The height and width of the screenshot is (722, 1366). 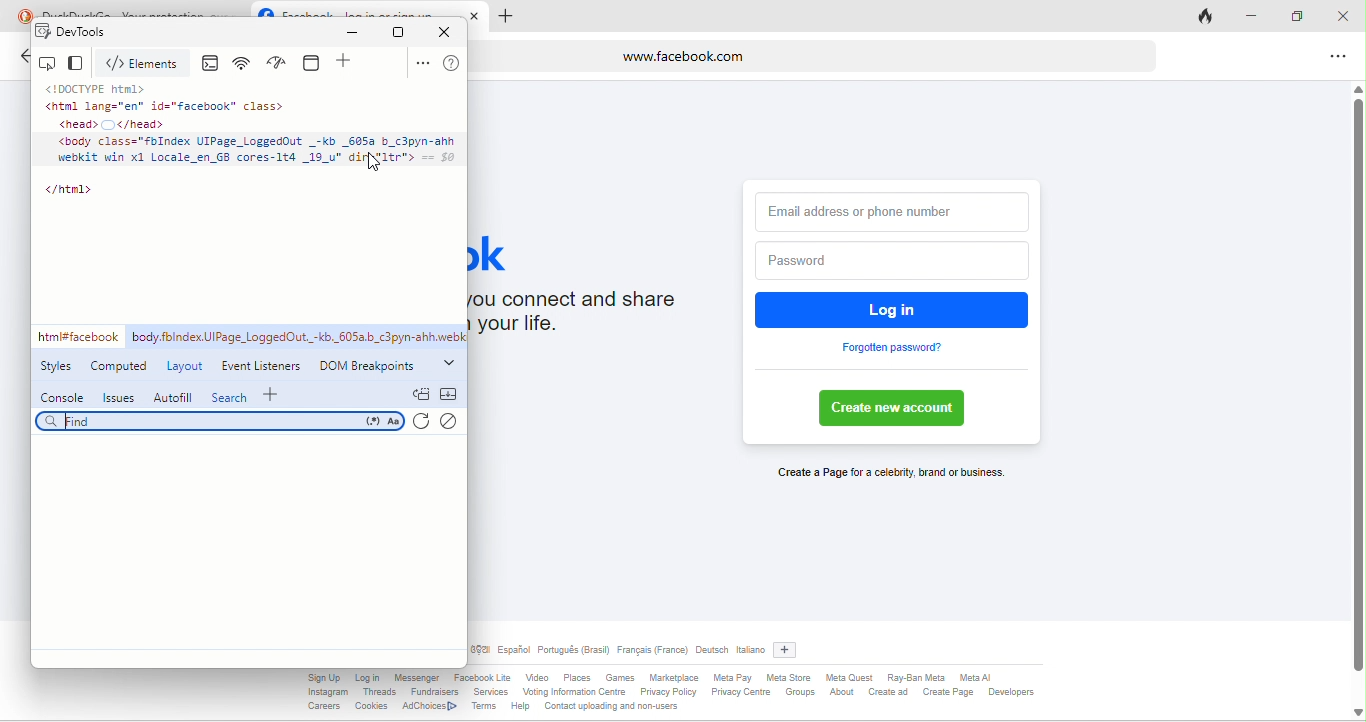 What do you see at coordinates (117, 397) in the screenshot?
I see `issues` at bounding box center [117, 397].